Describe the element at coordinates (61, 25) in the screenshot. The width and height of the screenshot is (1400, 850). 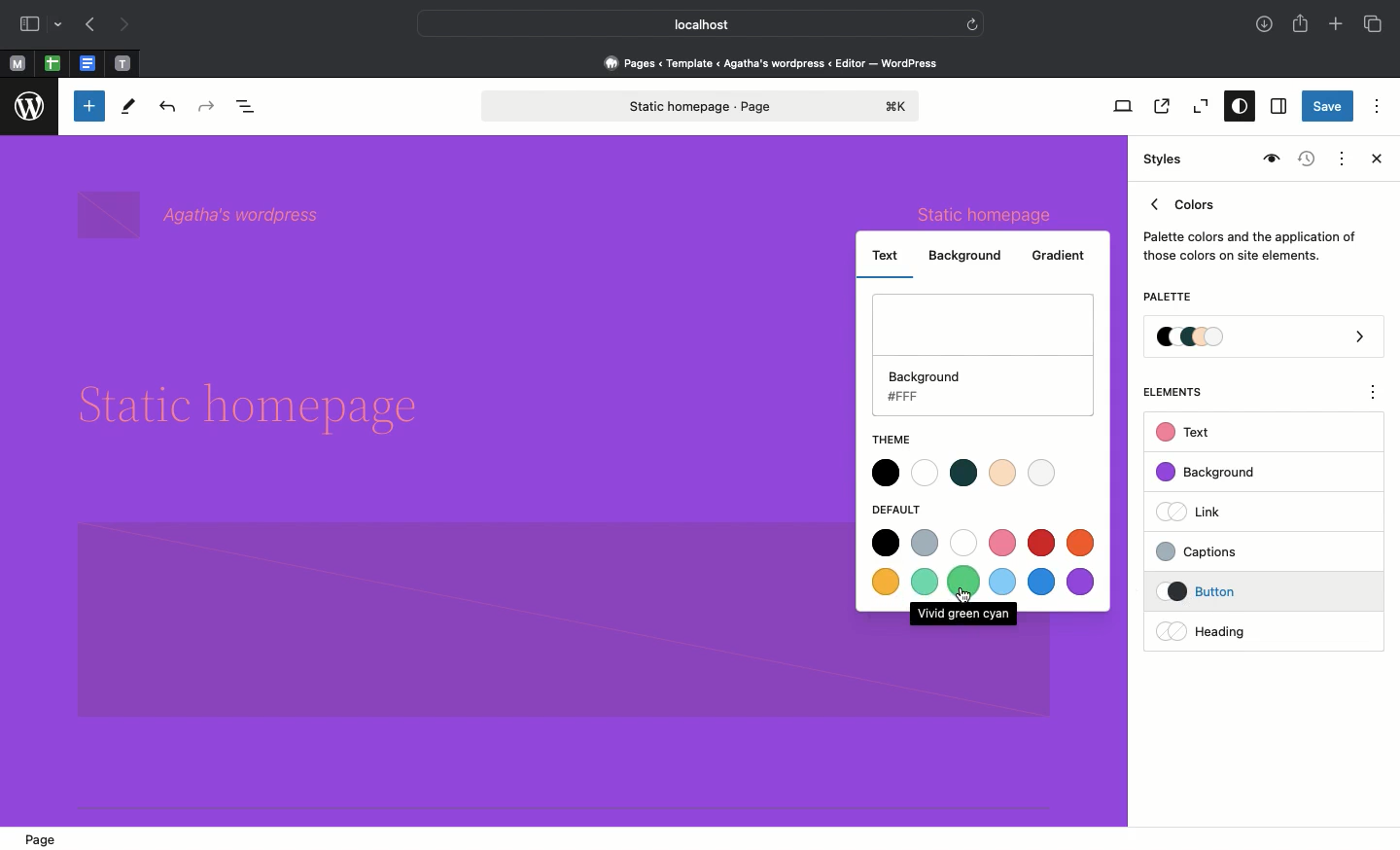
I see `drop-down` at that location.